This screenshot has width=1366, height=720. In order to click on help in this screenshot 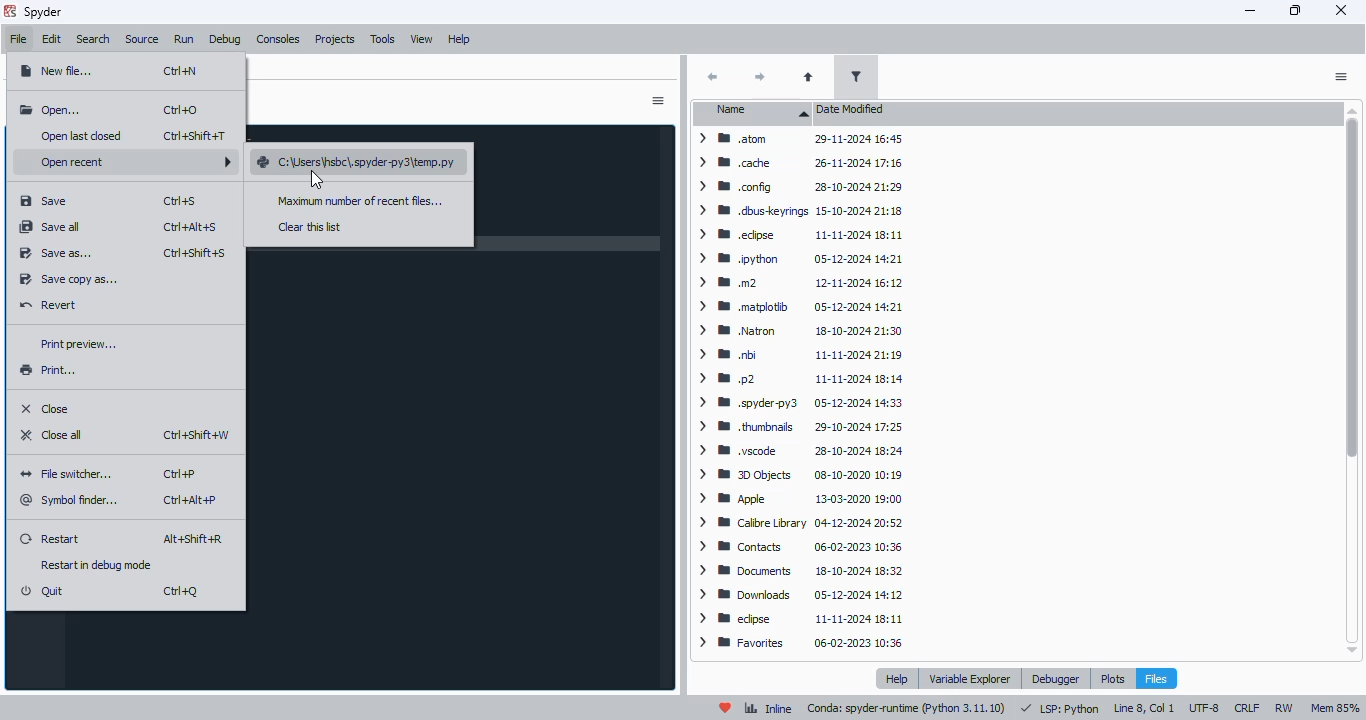, I will do `click(458, 39)`.